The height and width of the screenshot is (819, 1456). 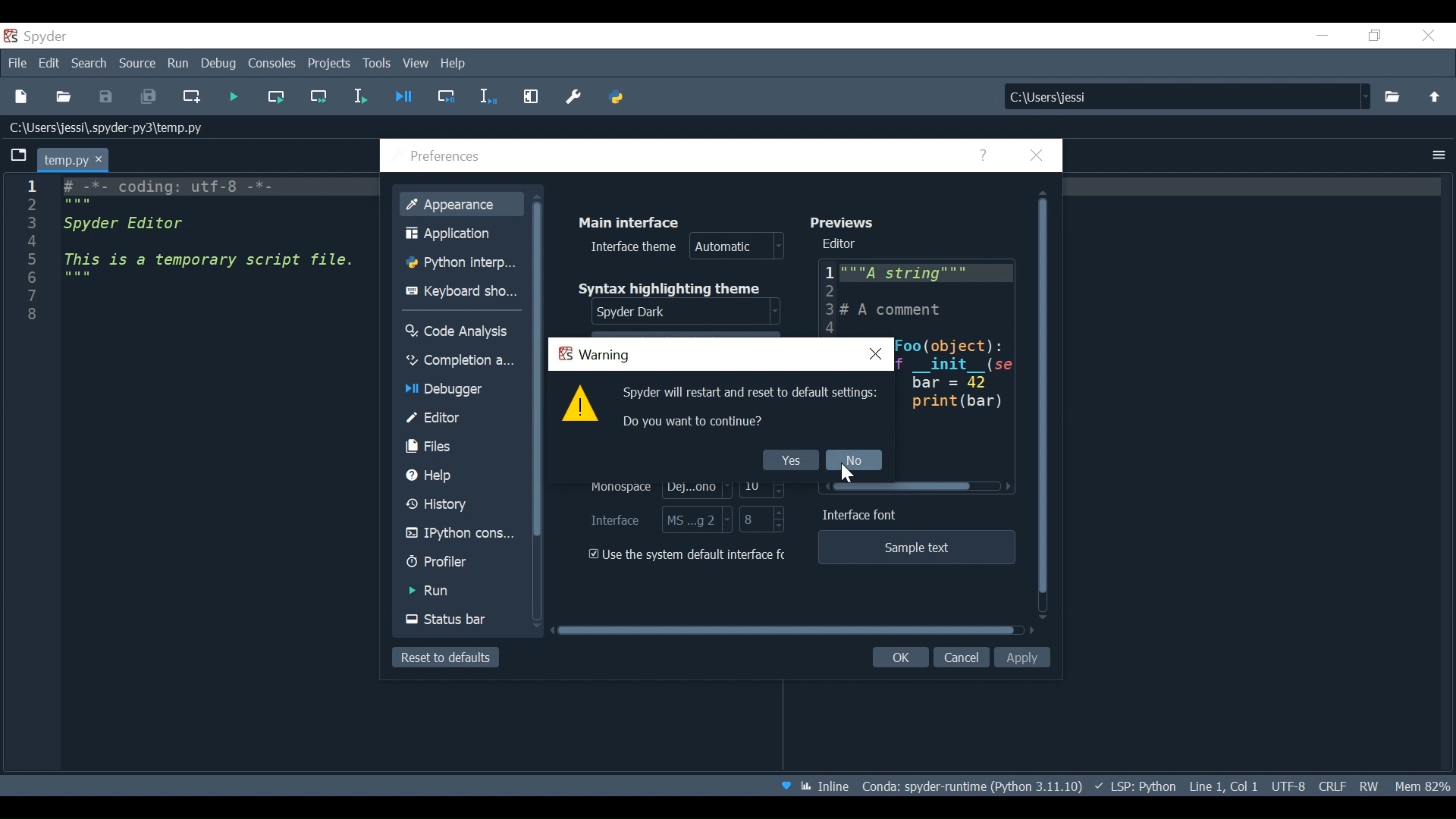 What do you see at coordinates (19, 63) in the screenshot?
I see `File` at bounding box center [19, 63].